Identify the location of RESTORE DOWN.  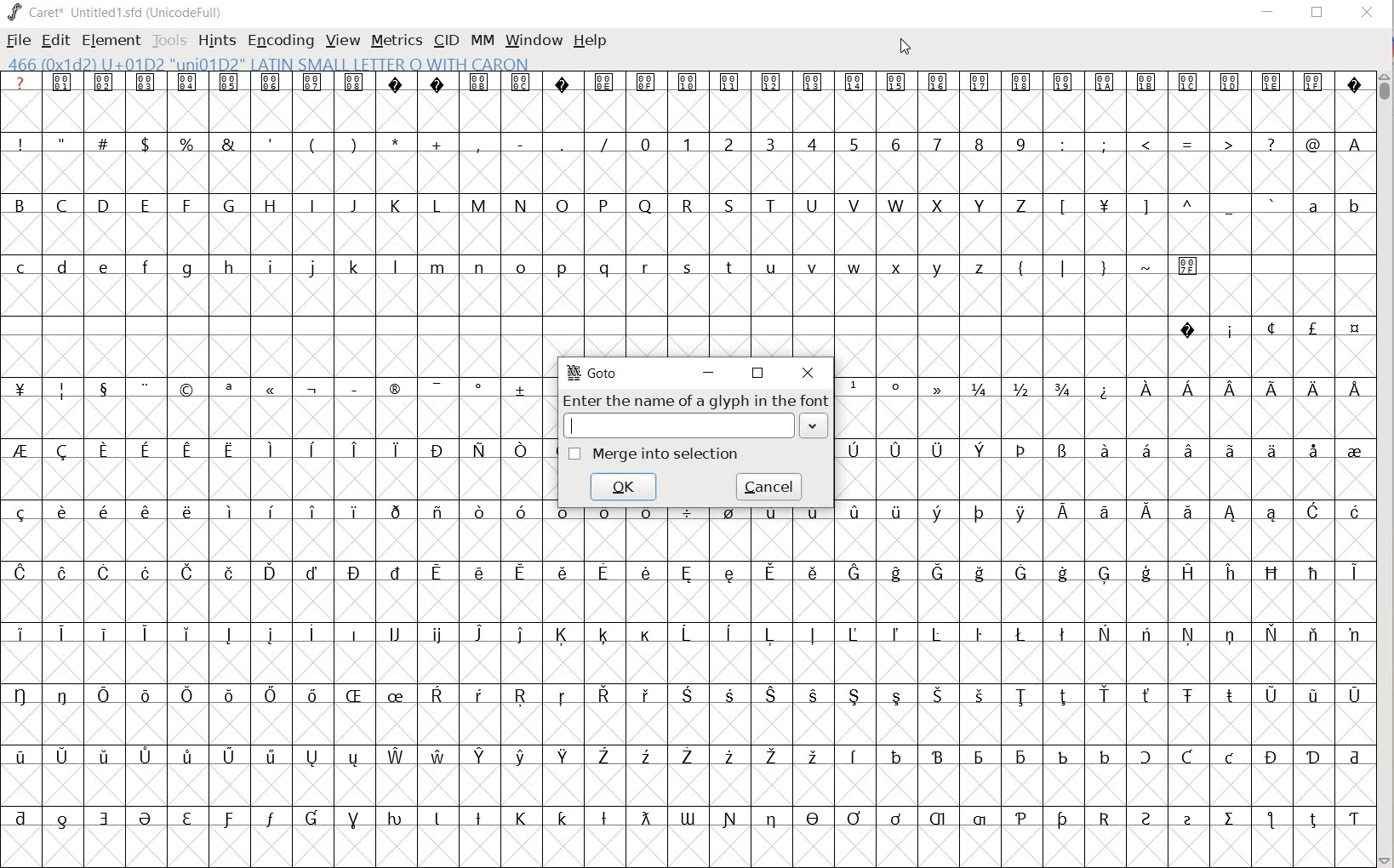
(758, 372).